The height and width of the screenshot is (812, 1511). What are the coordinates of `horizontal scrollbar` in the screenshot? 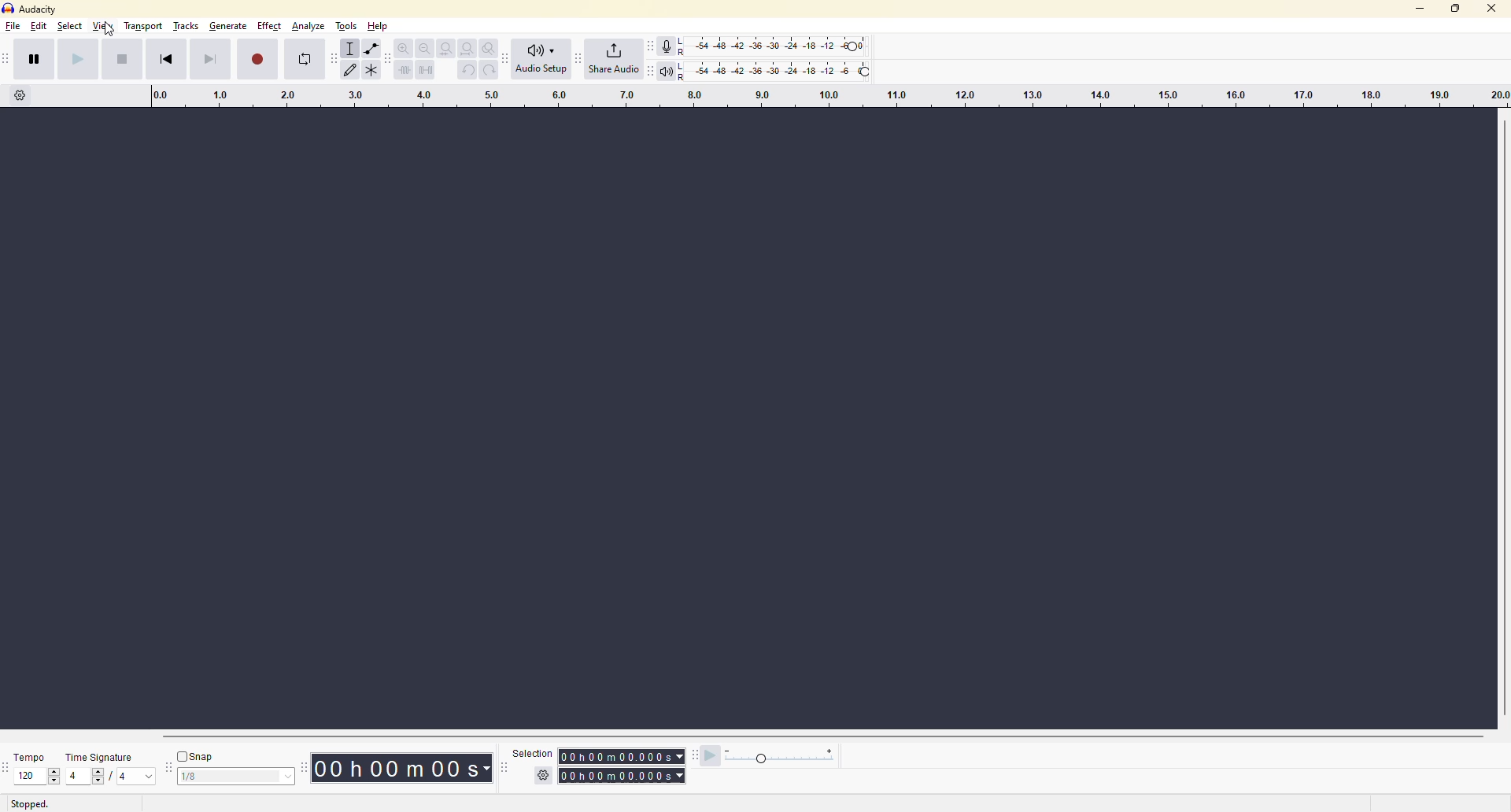 It's located at (829, 736).